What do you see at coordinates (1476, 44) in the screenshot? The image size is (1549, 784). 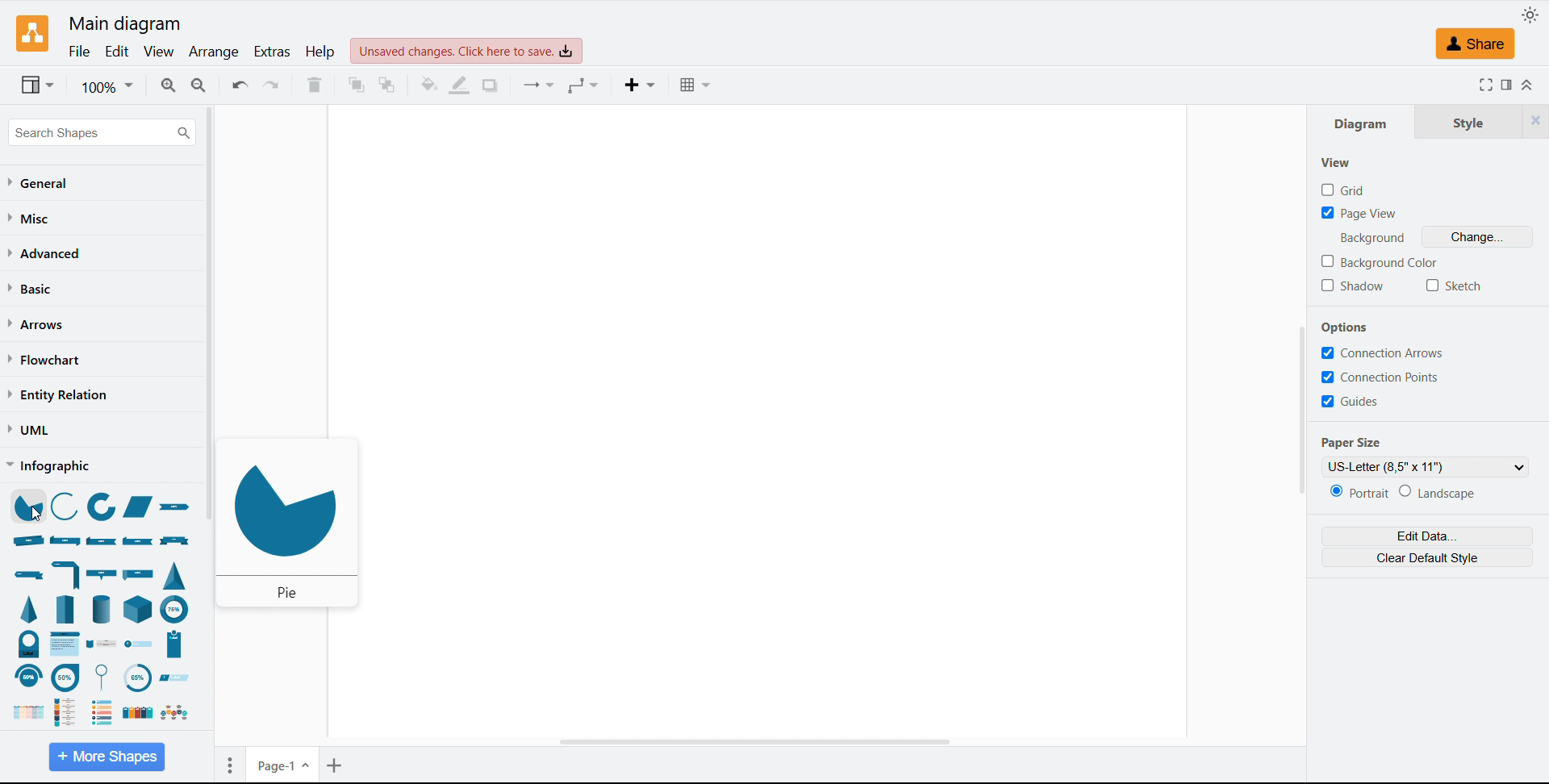 I see `Share ` at bounding box center [1476, 44].